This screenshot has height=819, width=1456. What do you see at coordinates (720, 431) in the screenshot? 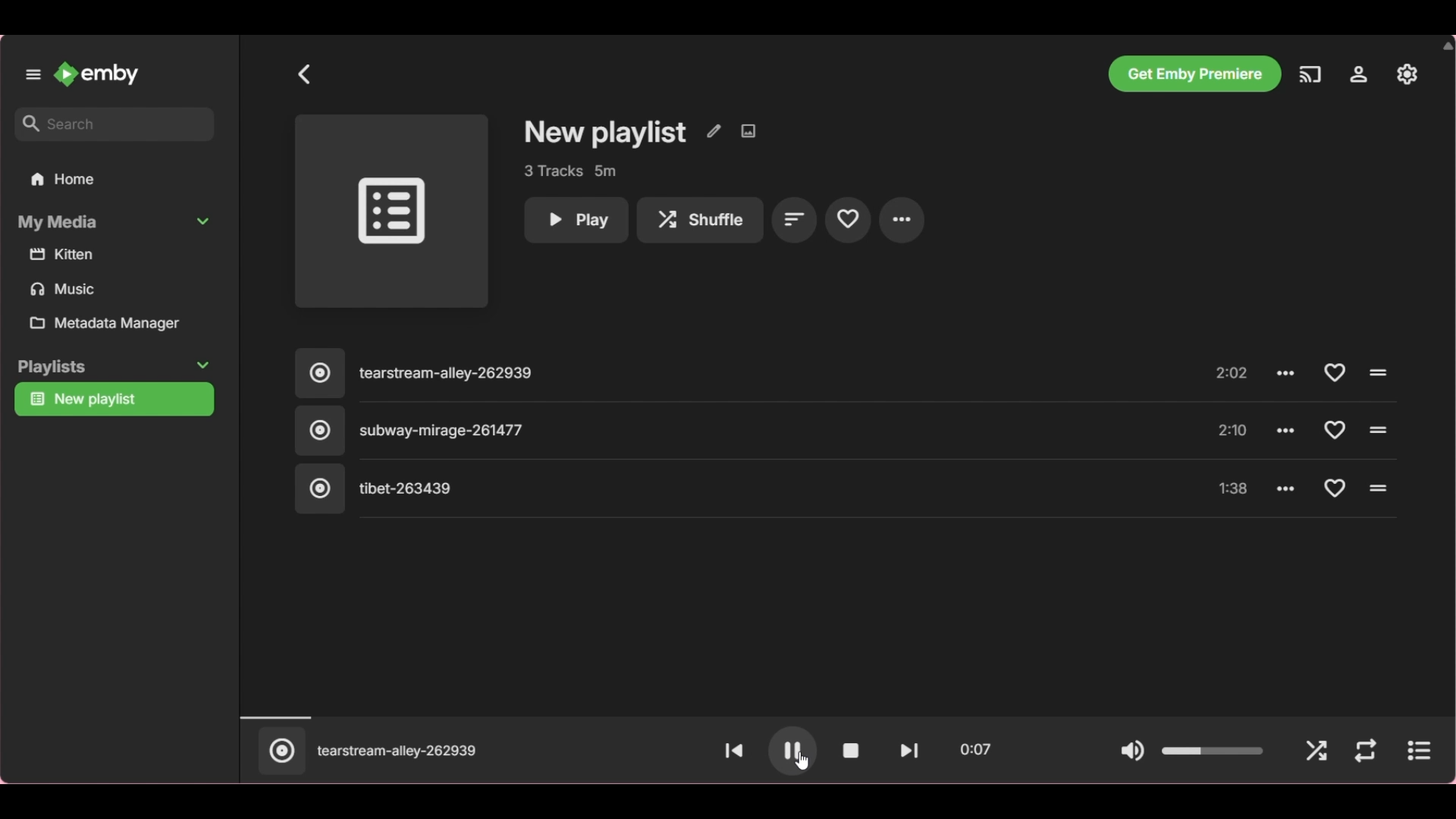
I see `Song 2, highlighted` at bounding box center [720, 431].